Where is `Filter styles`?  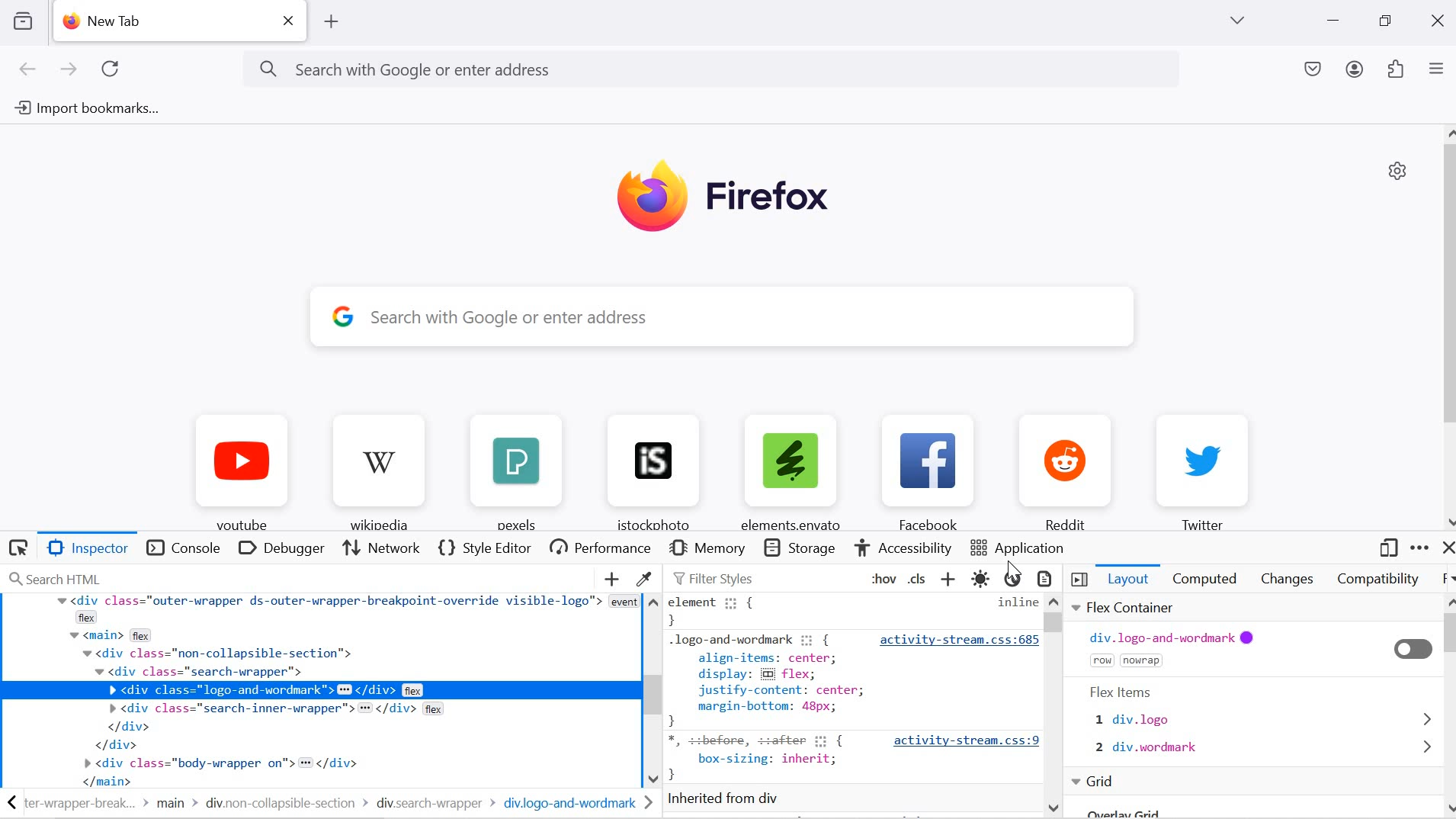
Filter styles is located at coordinates (715, 580).